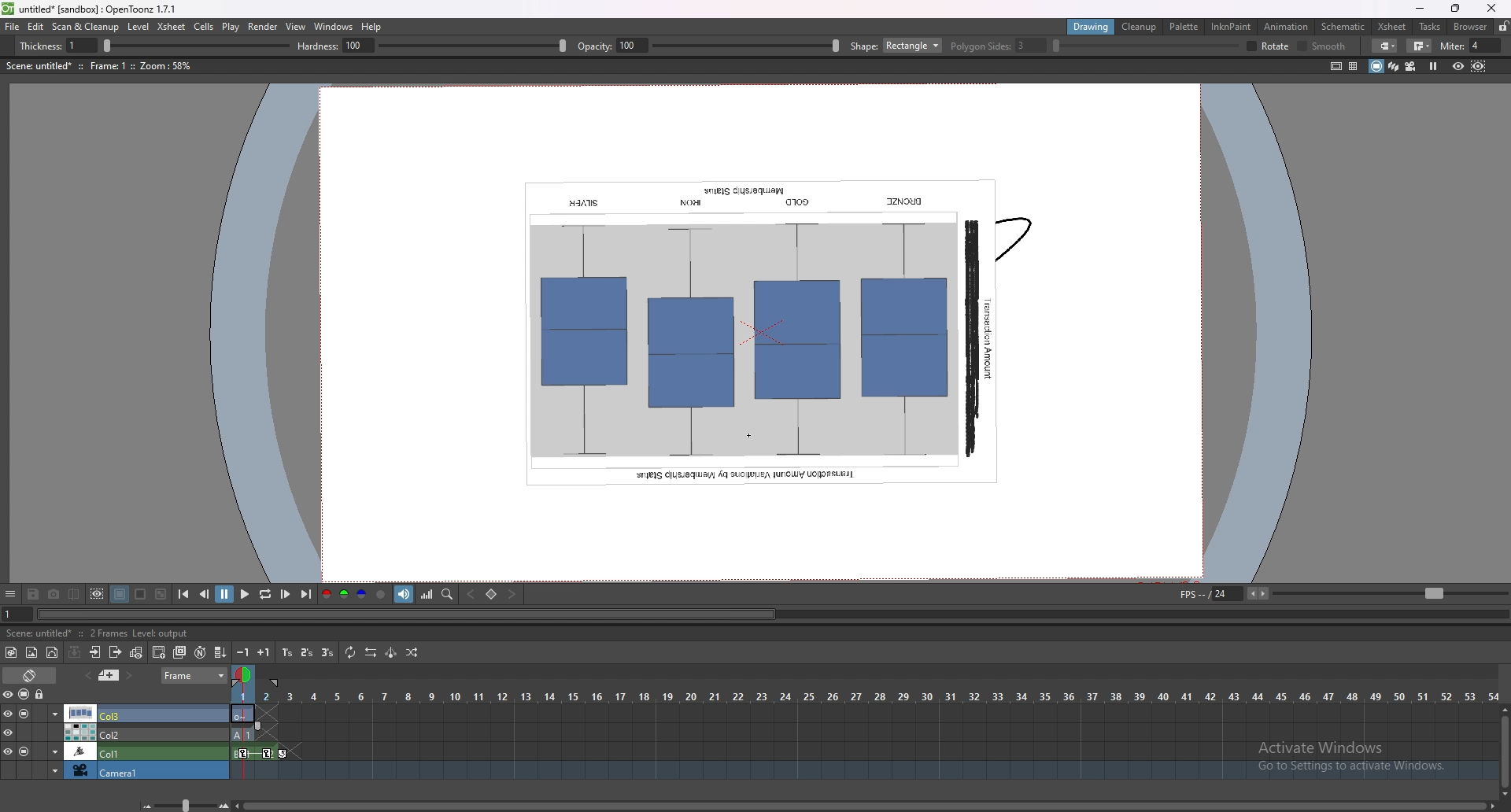  What do you see at coordinates (26, 694) in the screenshot?
I see `visibility camera stand lock` at bounding box center [26, 694].